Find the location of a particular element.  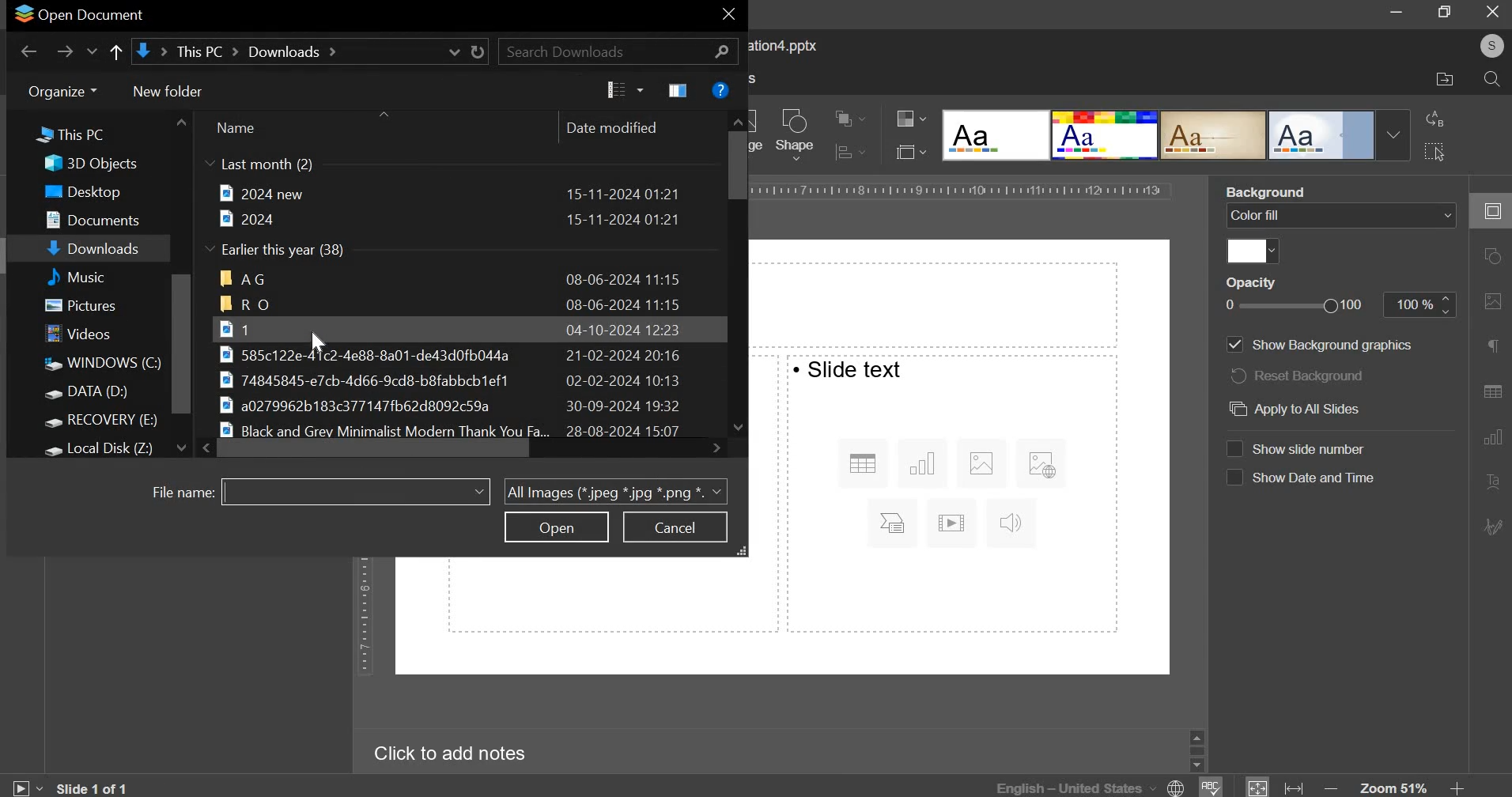

Drop-down  is located at coordinates (1393, 135).